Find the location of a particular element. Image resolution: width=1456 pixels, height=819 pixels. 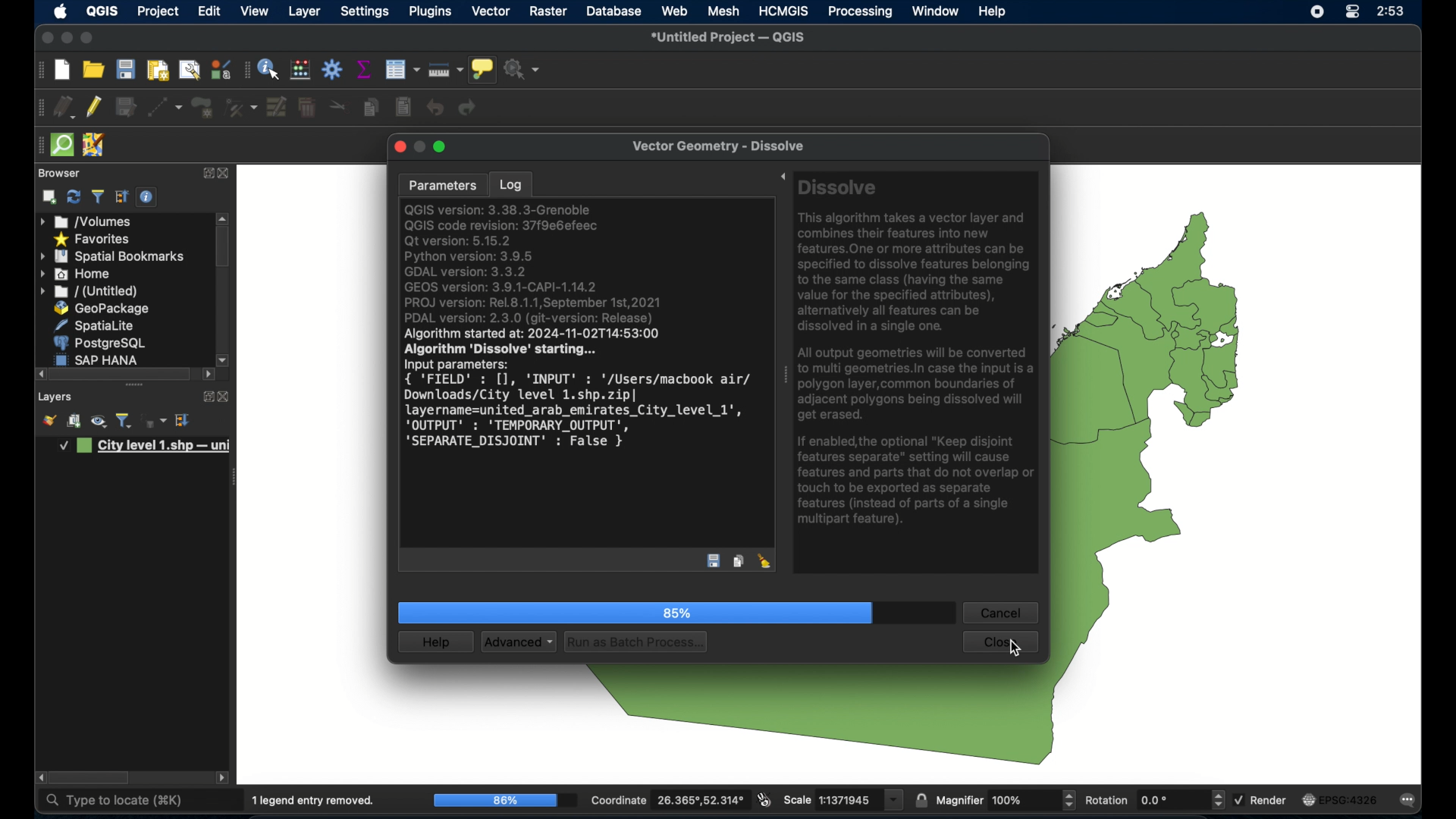

show map tips is located at coordinates (485, 71).